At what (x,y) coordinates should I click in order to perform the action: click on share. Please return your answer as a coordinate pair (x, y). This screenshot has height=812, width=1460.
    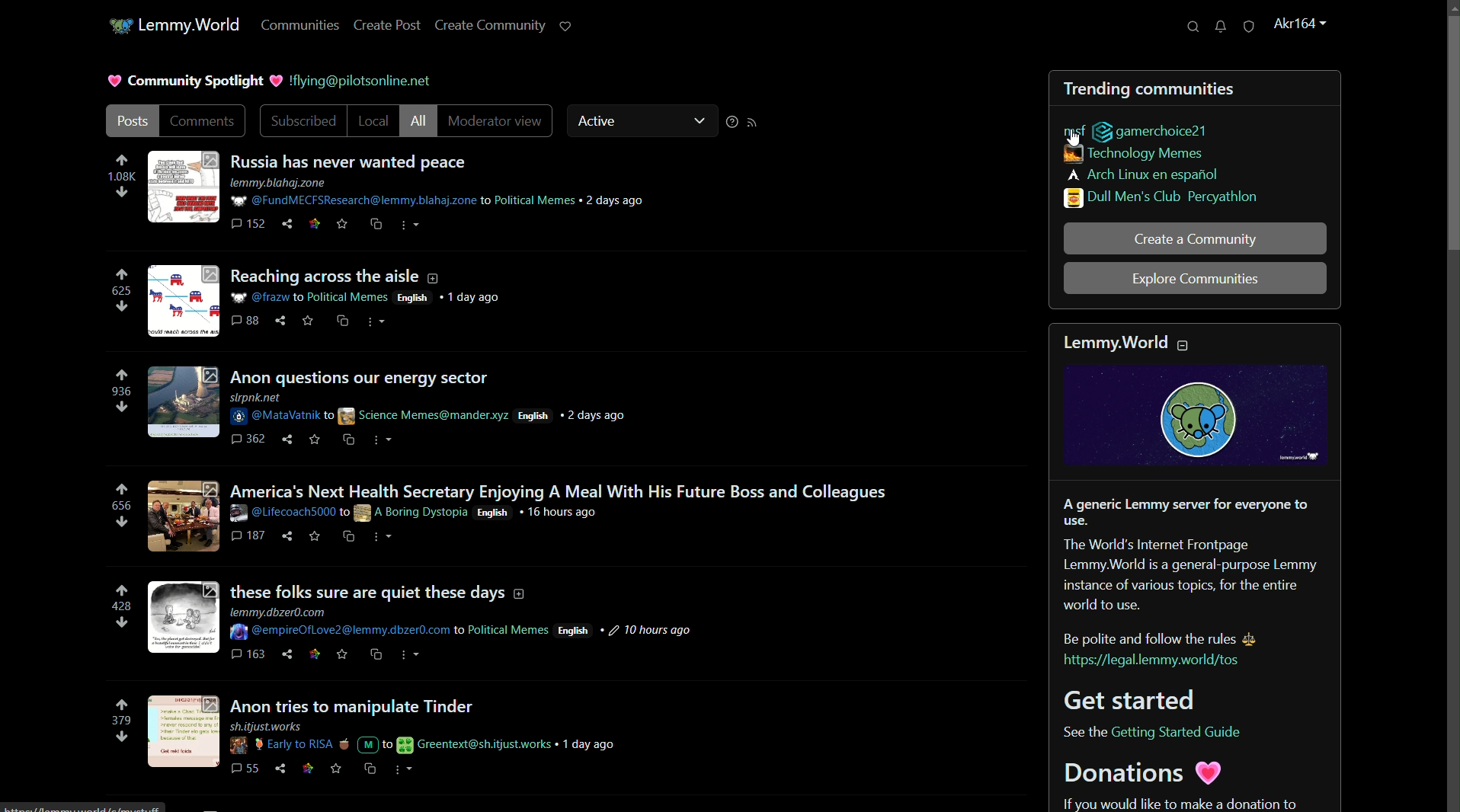
    Looking at the image, I should click on (284, 653).